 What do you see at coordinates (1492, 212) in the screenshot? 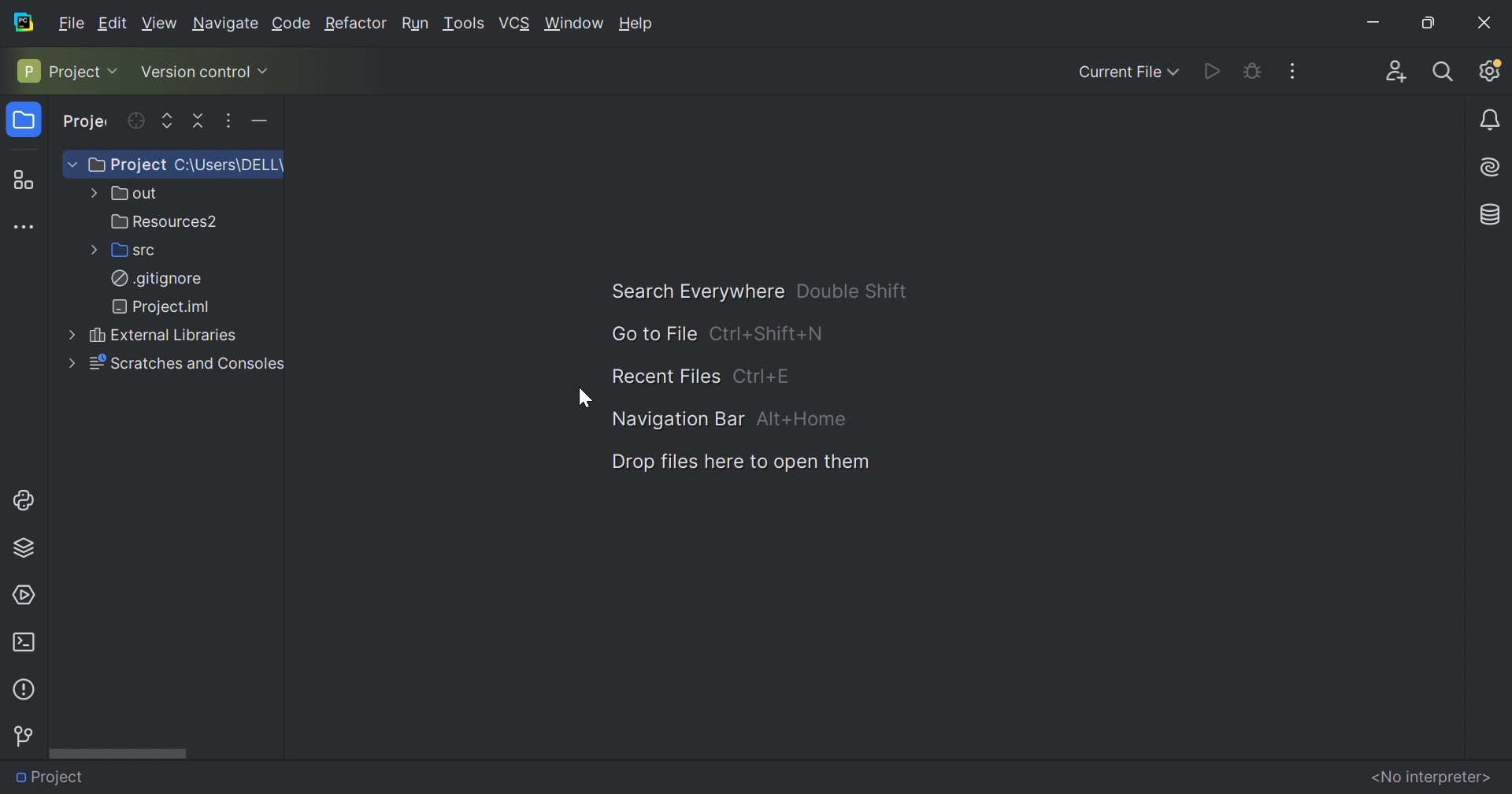
I see `Database` at bounding box center [1492, 212].